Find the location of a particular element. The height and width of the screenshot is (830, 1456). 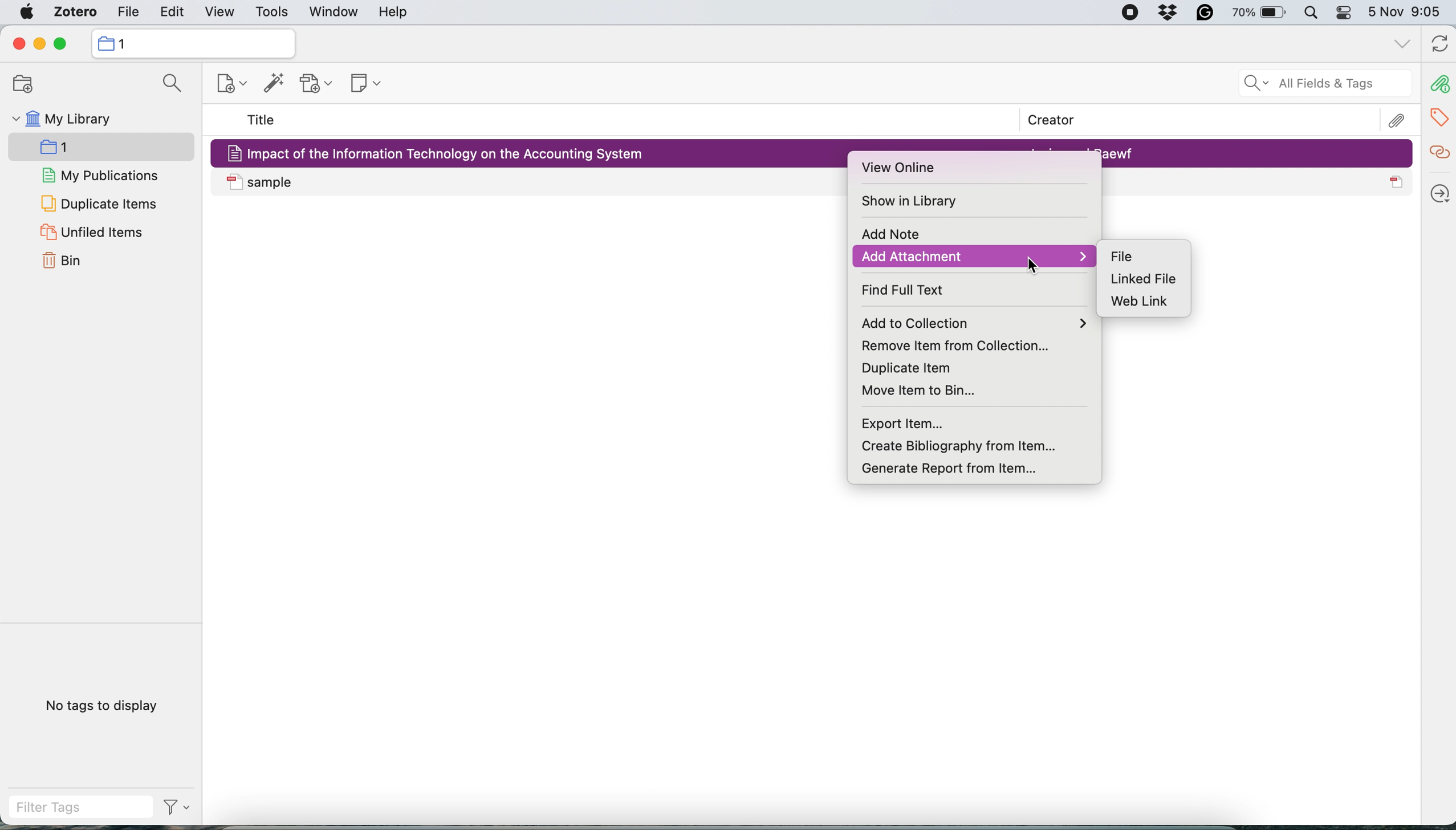

maximise is located at coordinates (65, 44).